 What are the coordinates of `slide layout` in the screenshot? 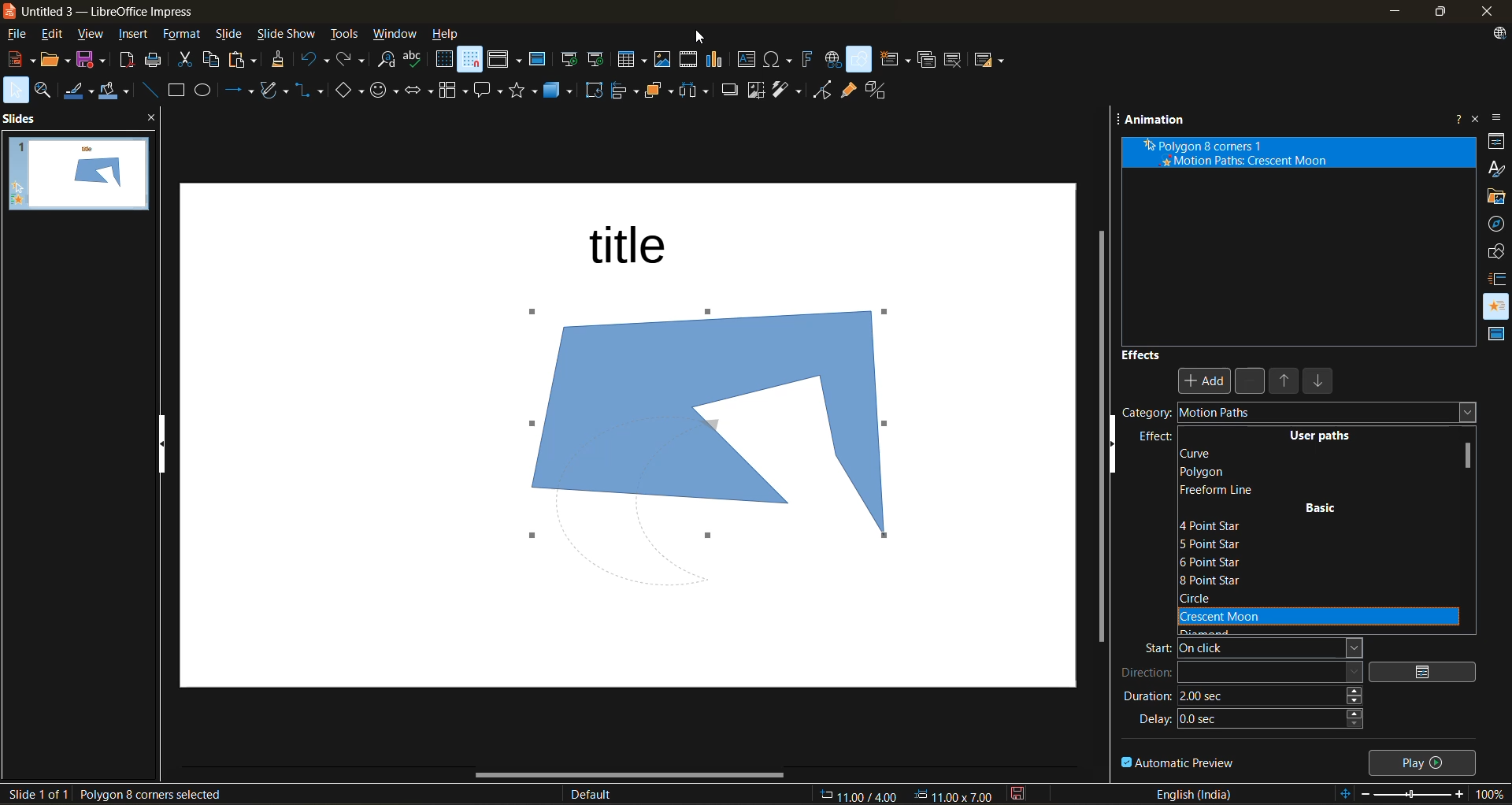 It's located at (991, 62).